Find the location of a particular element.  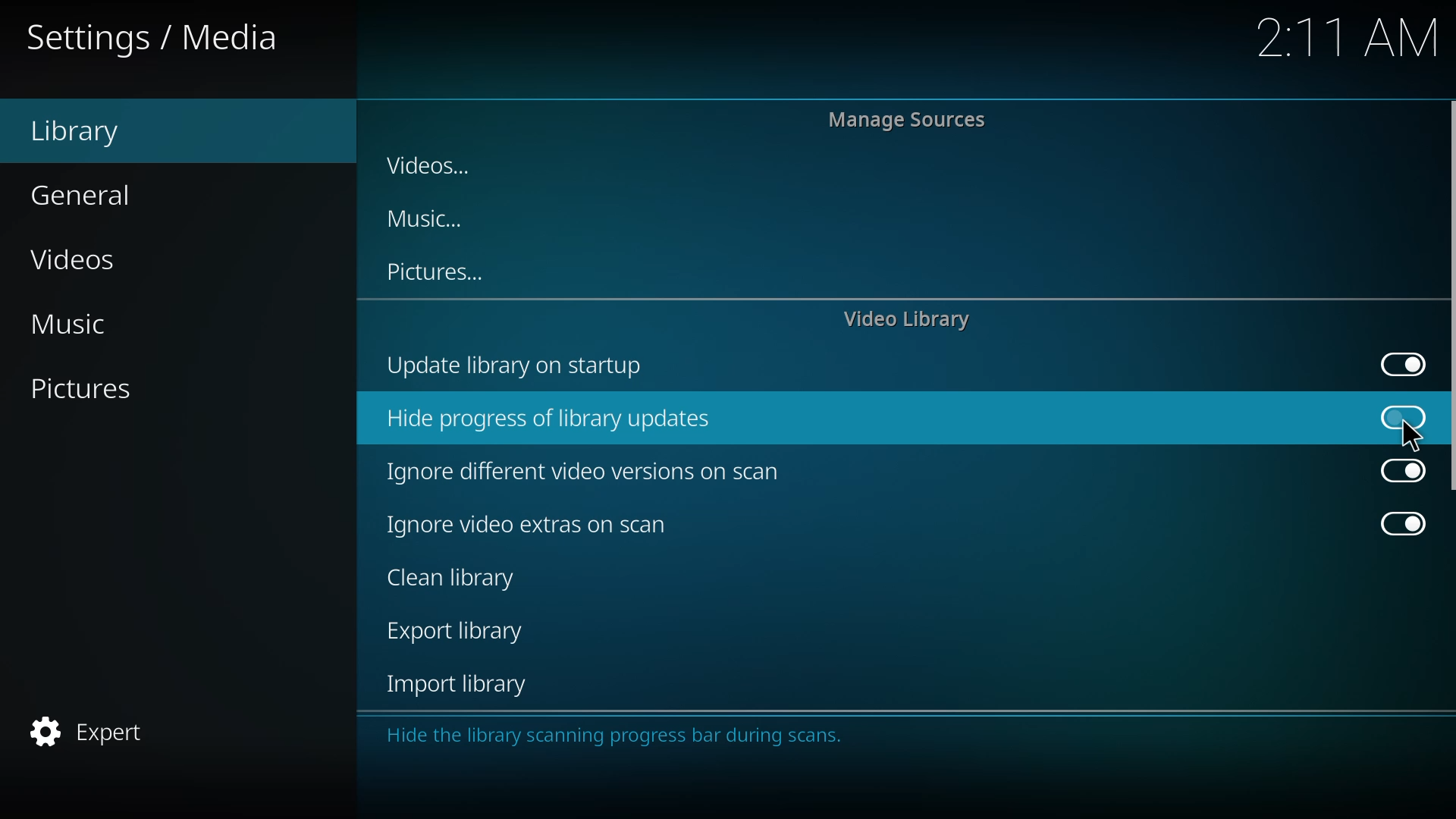

update library on startup is located at coordinates (529, 366).